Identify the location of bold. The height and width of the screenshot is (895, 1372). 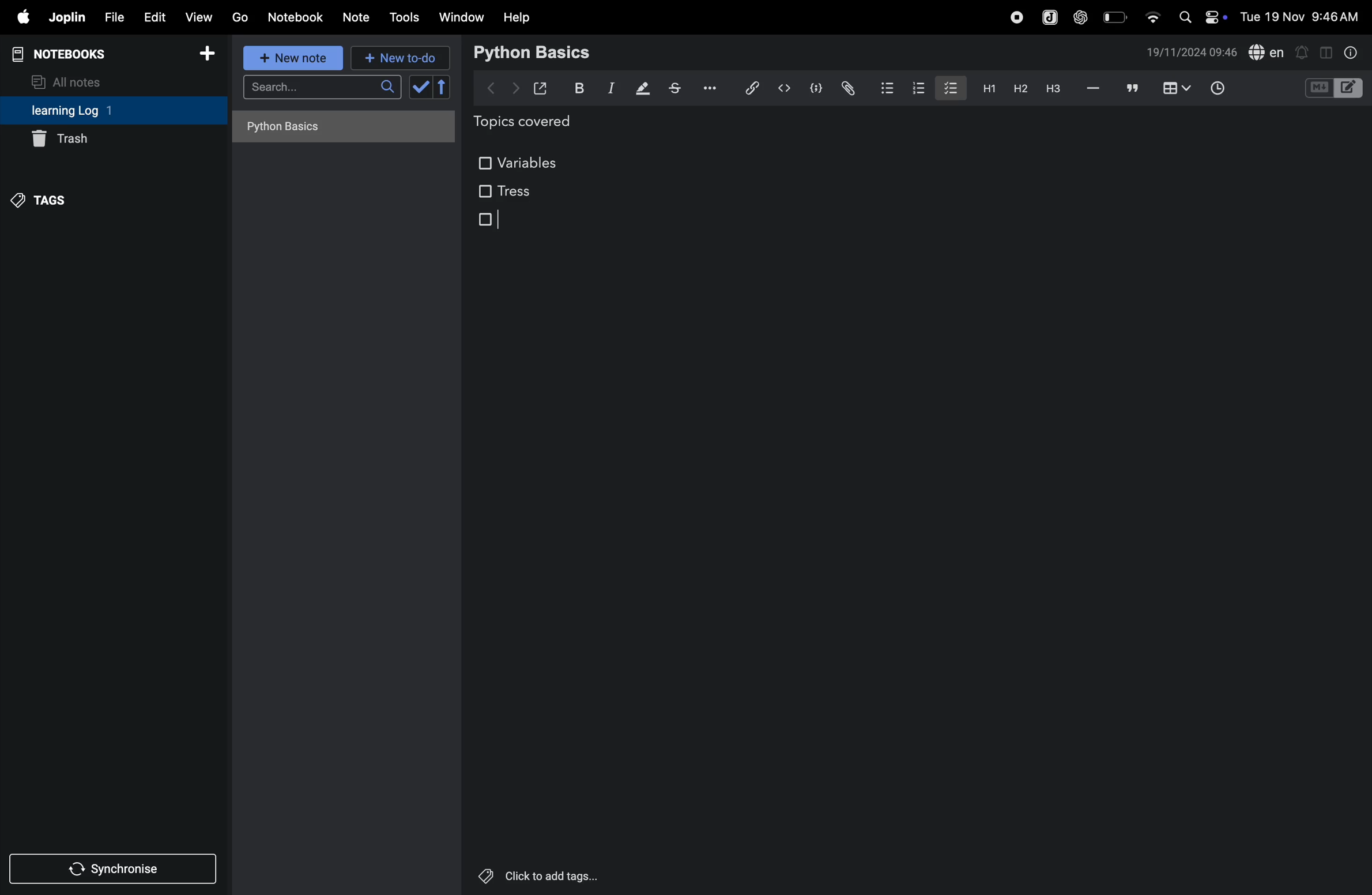
(576, 88).